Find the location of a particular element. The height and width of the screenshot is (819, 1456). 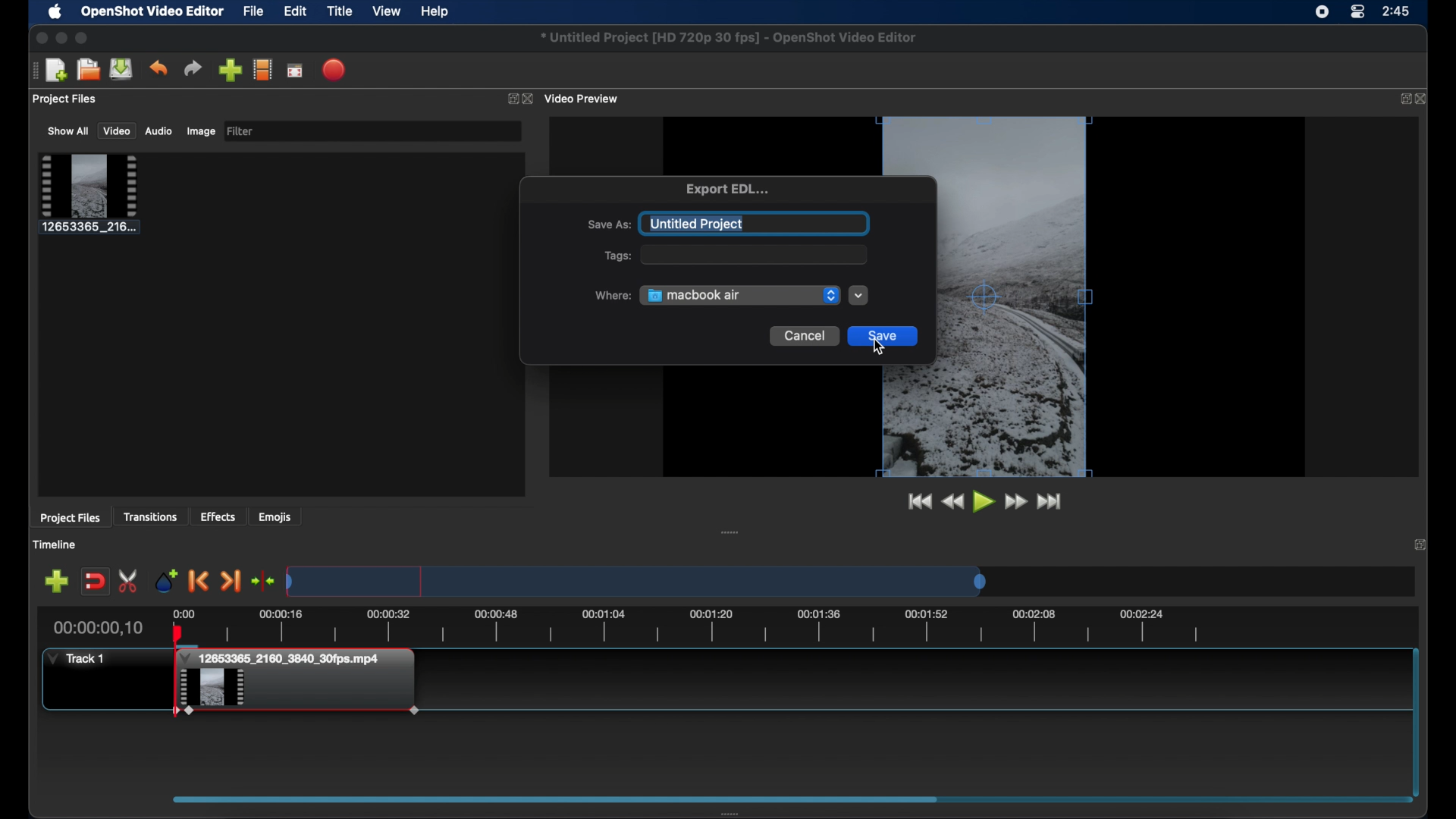

expand is located at coordinates (509, 98).